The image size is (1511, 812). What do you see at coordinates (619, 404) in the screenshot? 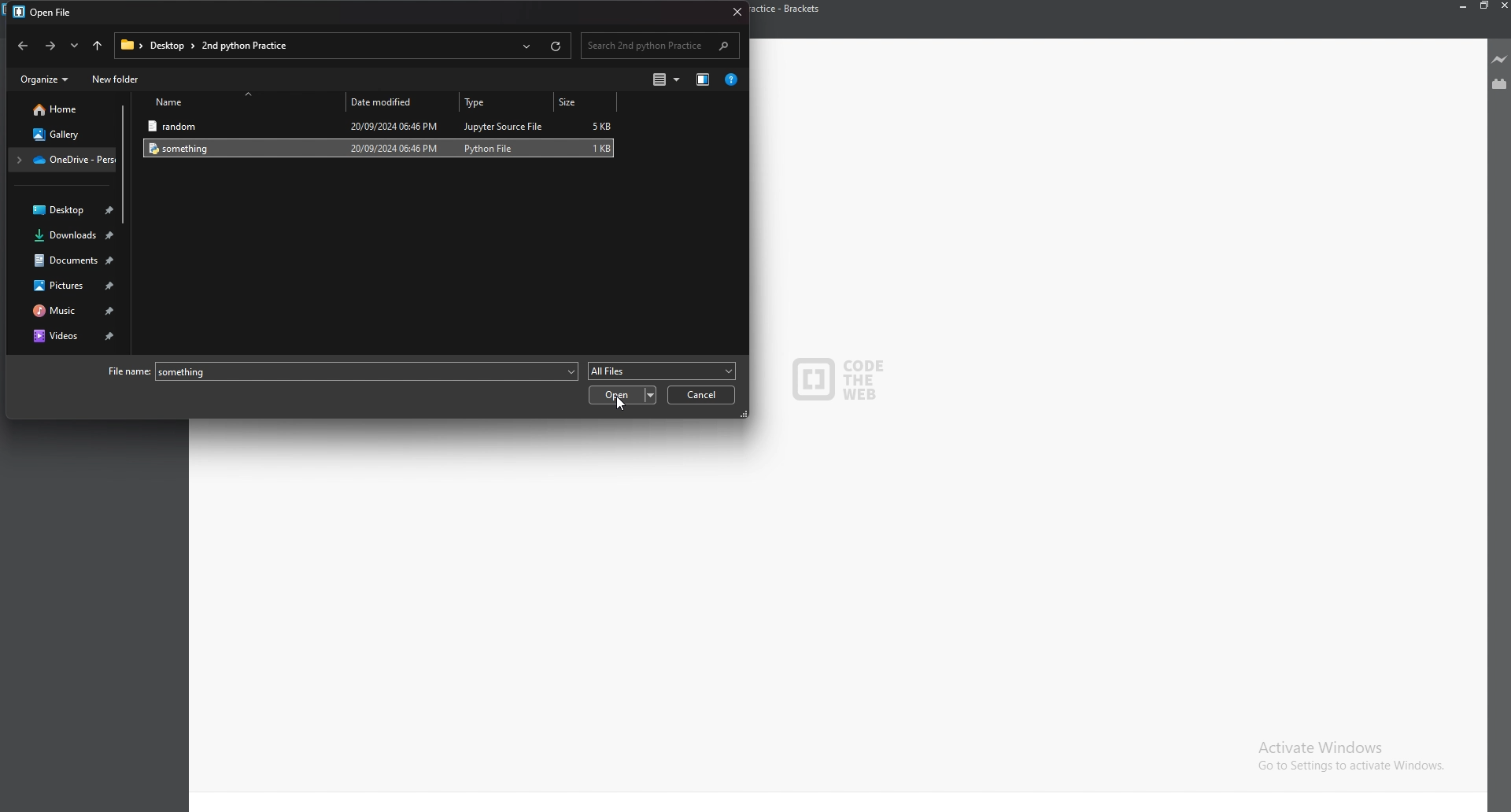
I see `cursor` at bounding box center [619, 404].